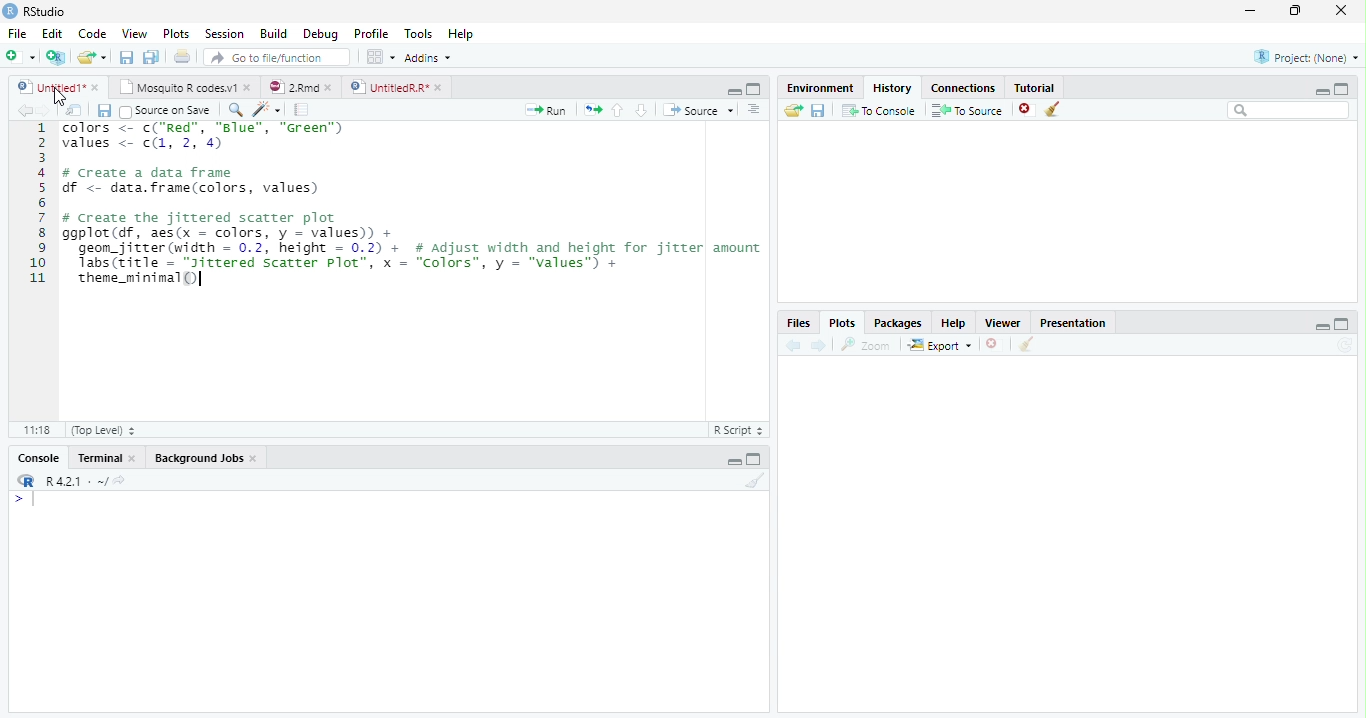 The image size is (1366, 718). I want to click on Re-run the previous code region, so click(592, 110).